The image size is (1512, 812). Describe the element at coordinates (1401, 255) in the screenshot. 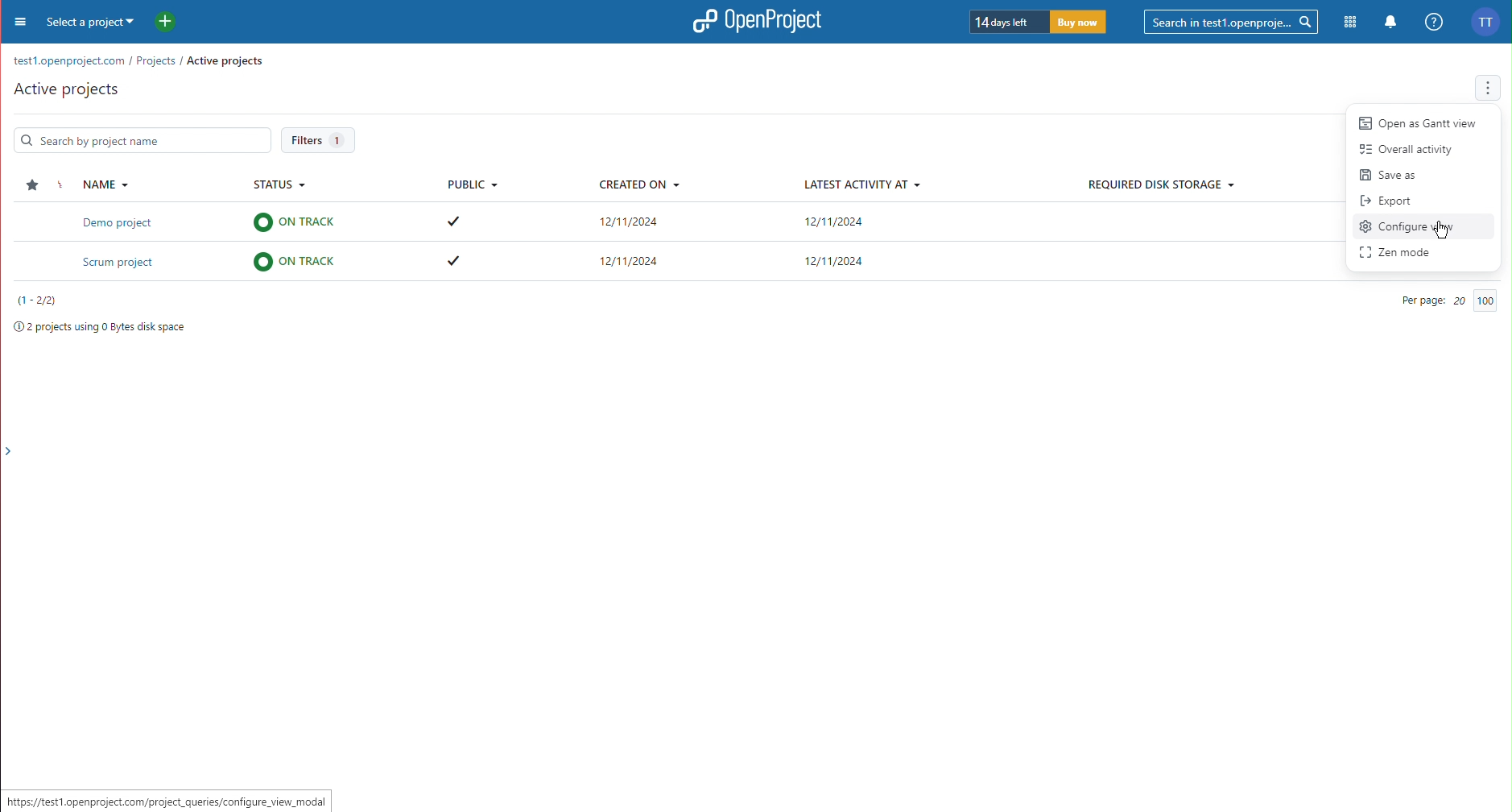

I see `Zen Mode` at that location.